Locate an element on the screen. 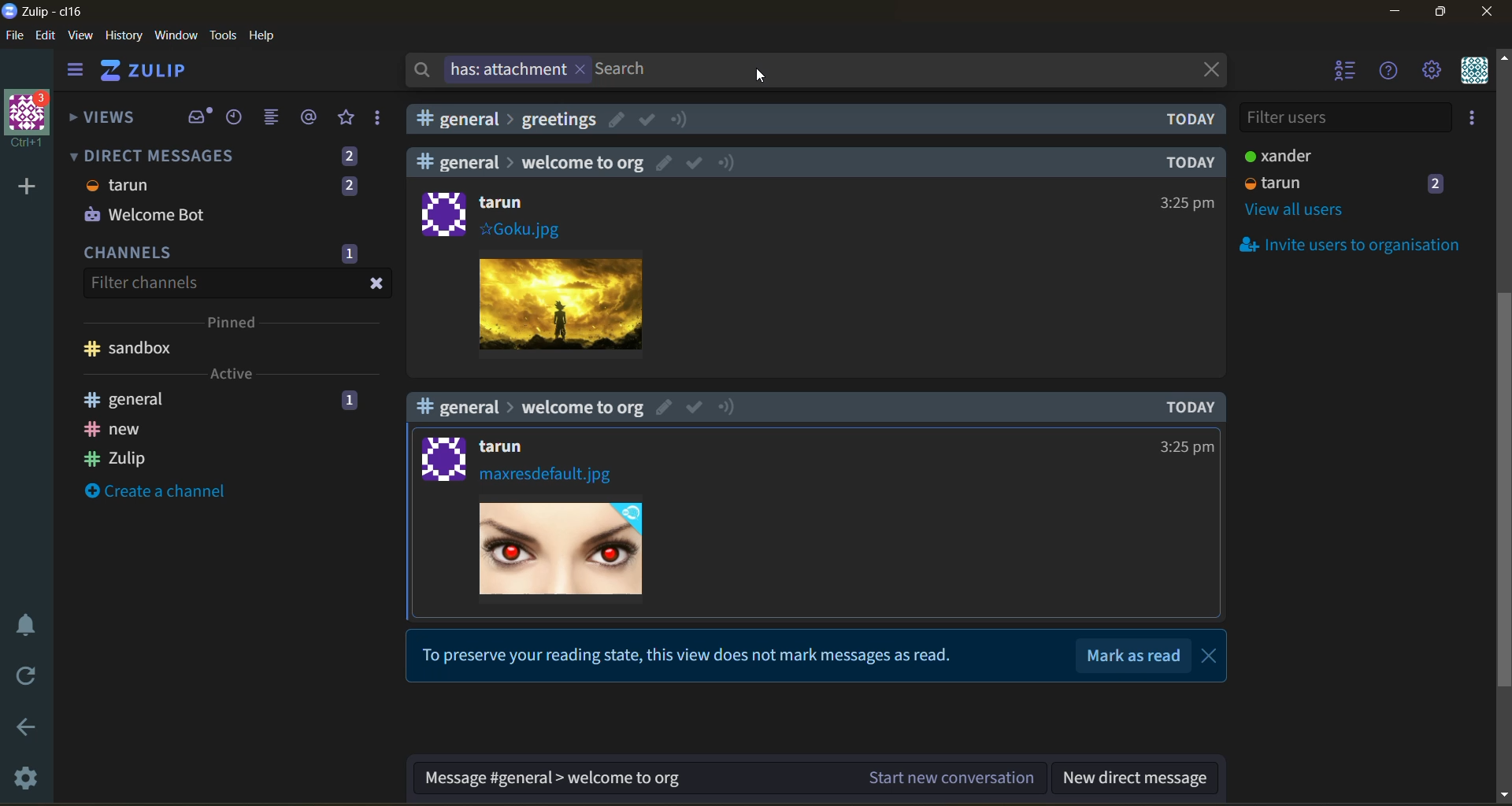 Image resolution: width=1512 pixels, height=806 pixels. scroll bar is located at coordinates (1503, 427).